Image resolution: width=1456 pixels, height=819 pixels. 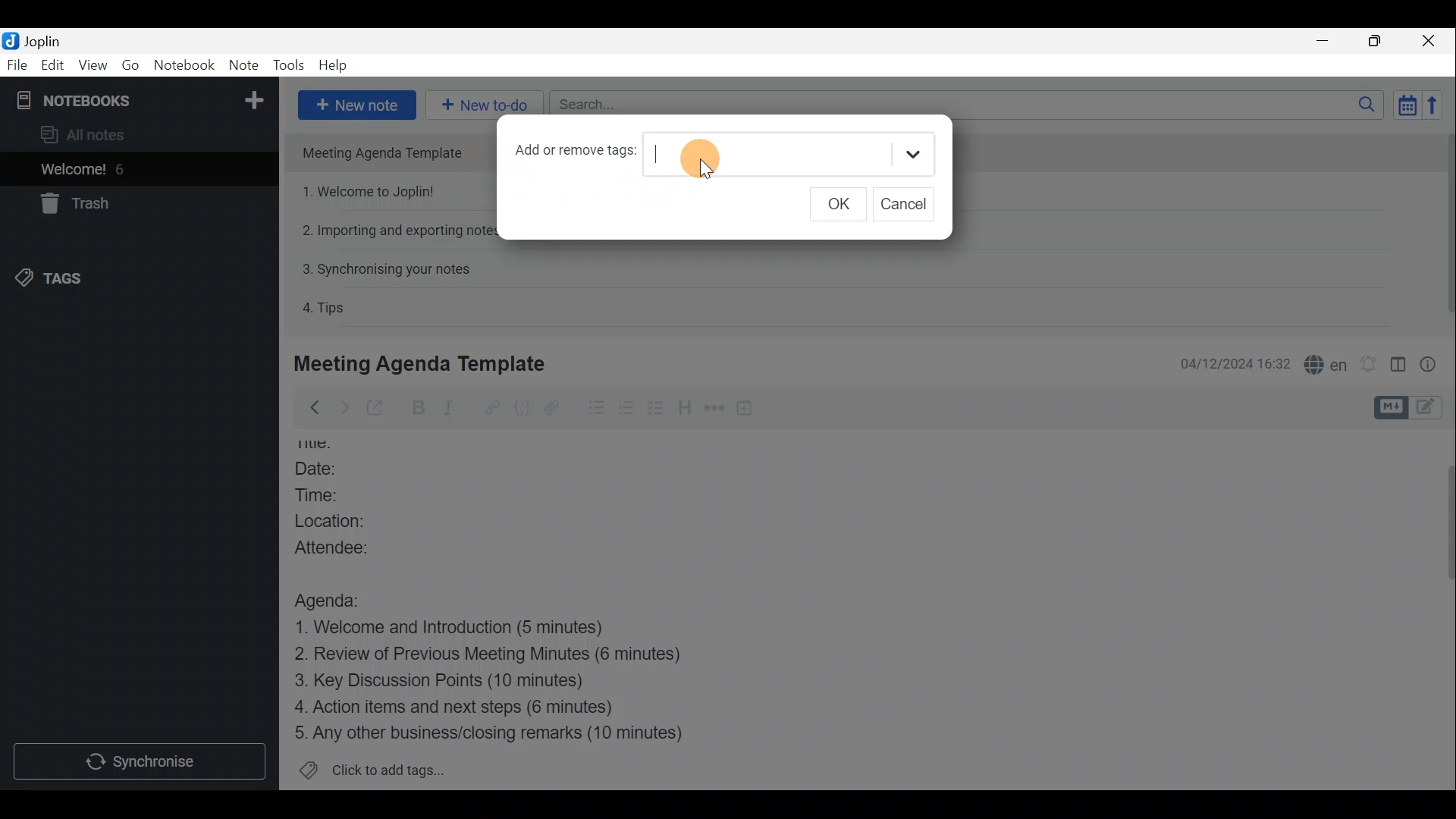 What do you see at coordinates (108, 134) in the screenshot?
I see `All notes` at bounding box center [108, 134].